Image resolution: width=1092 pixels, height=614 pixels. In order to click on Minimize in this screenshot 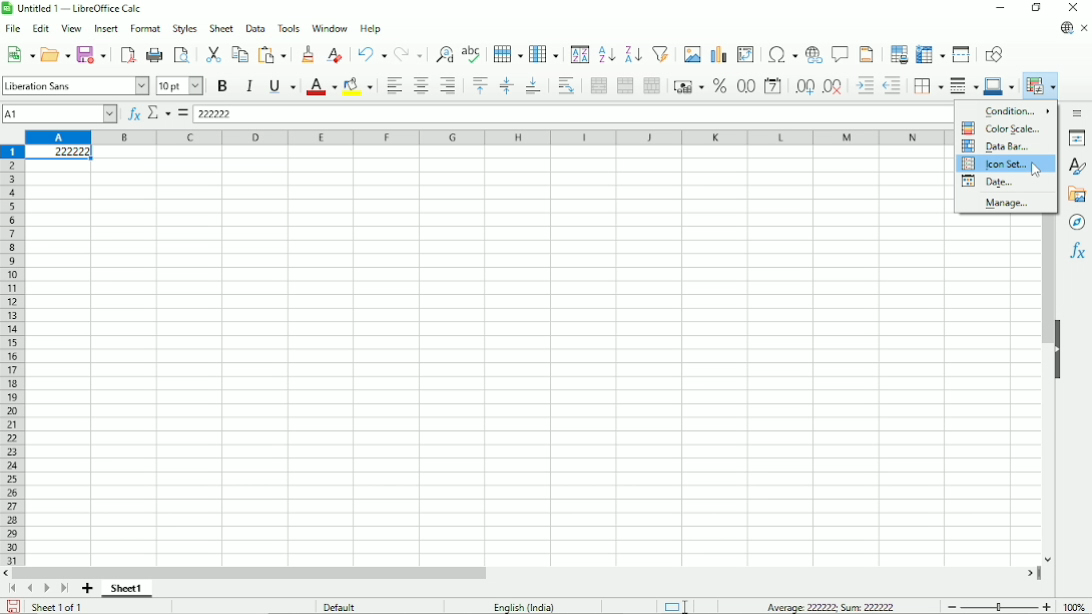, I will do `click(1000, 10)`.